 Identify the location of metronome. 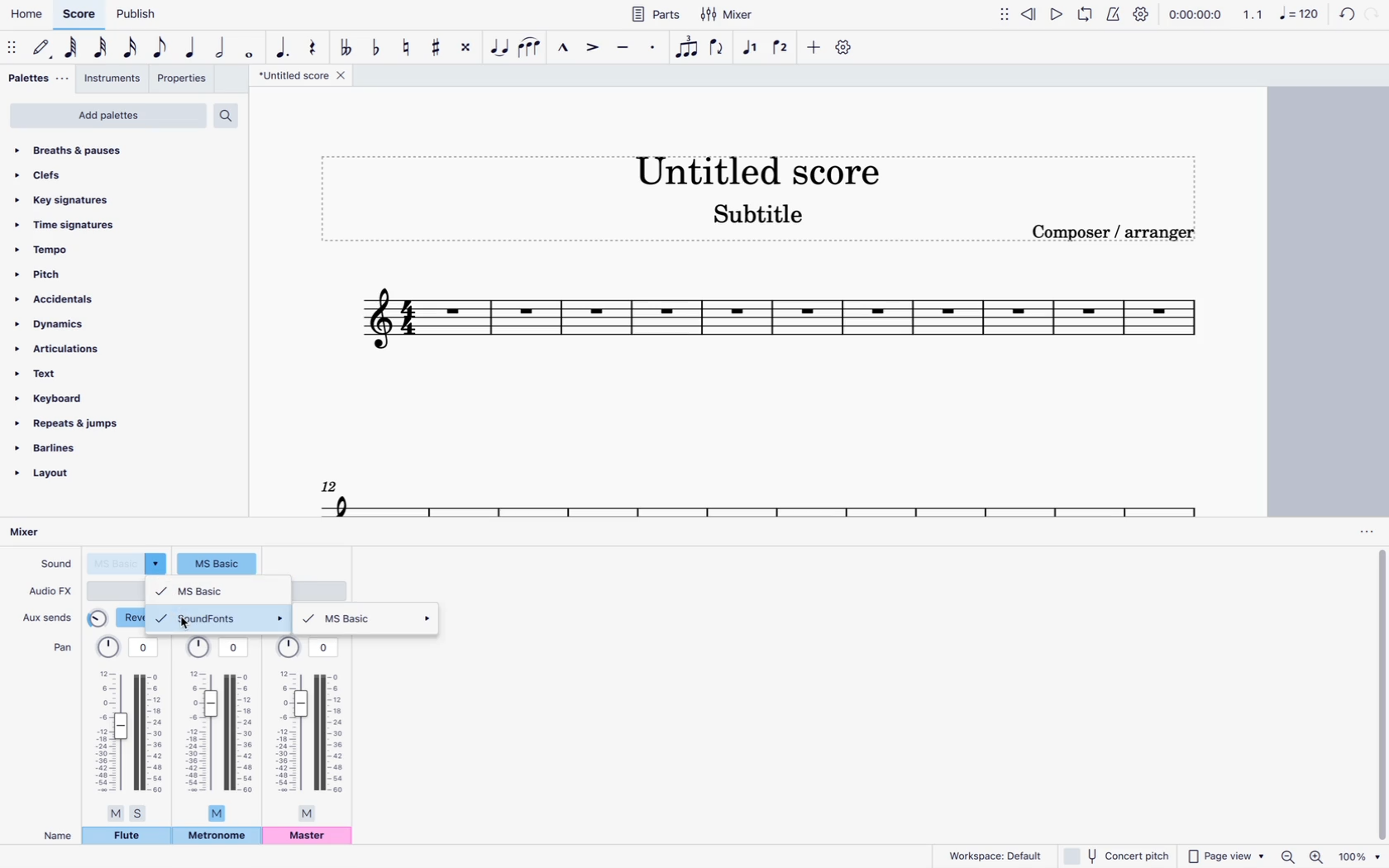
(1112, 13).